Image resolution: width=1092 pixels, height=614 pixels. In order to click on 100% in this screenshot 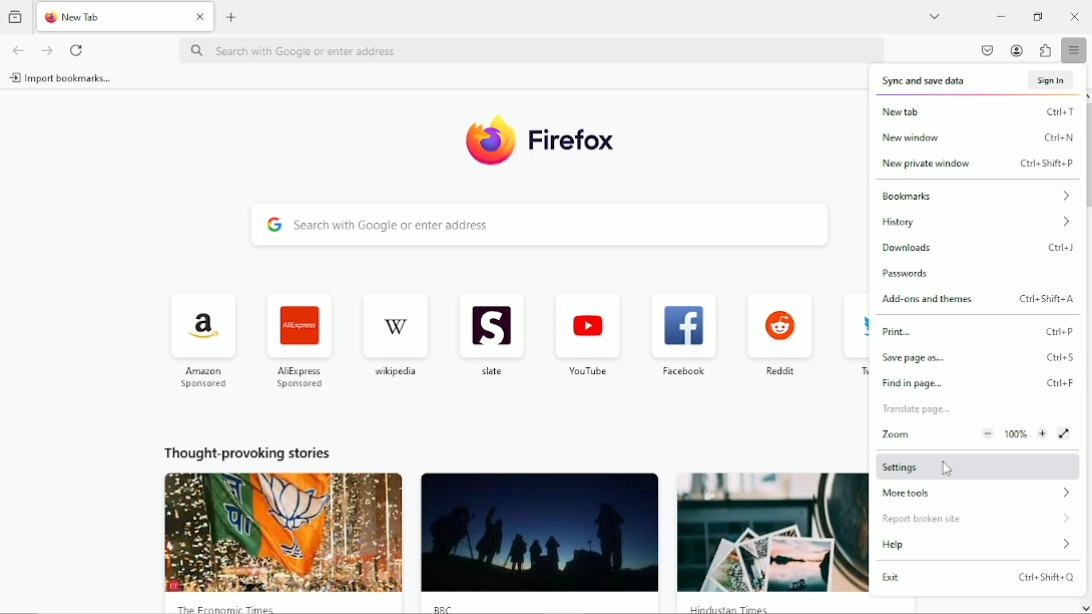, I will do `click(1016, 435)`.